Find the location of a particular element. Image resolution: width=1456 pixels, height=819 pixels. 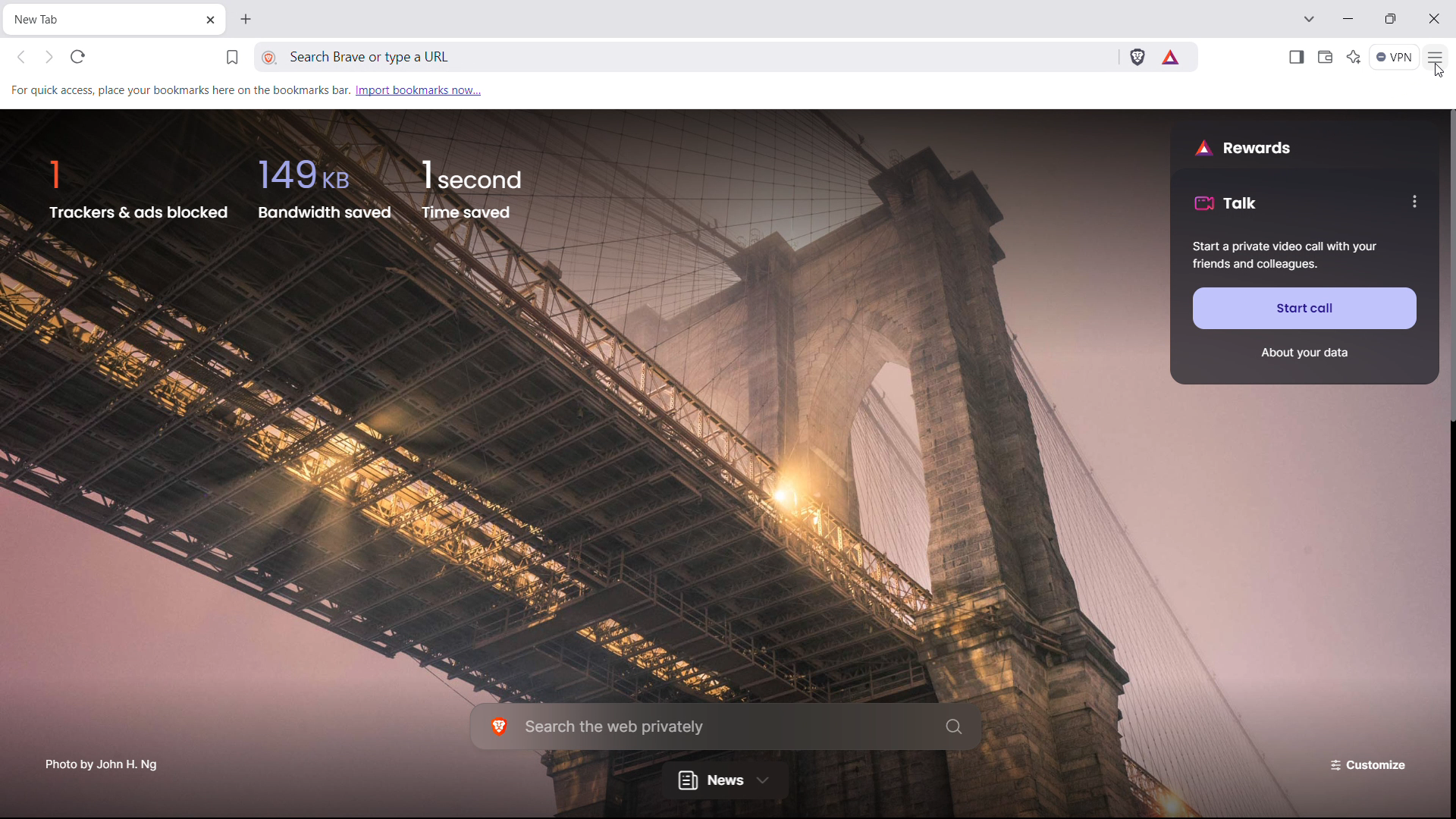

wallet is located at coordinates (1326, 56).